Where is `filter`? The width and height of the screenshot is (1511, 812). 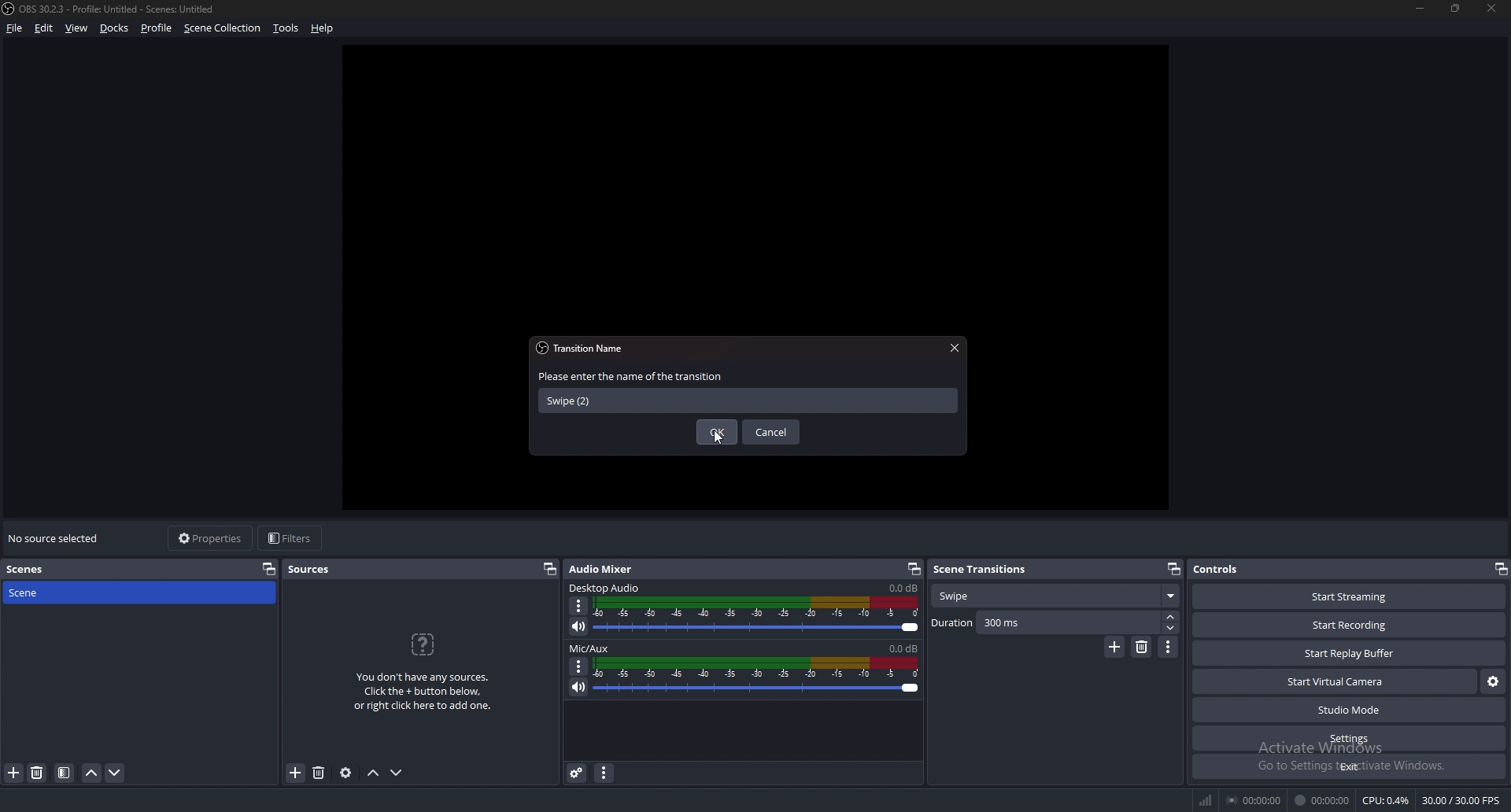 filter is located at coordinates (64, 773).